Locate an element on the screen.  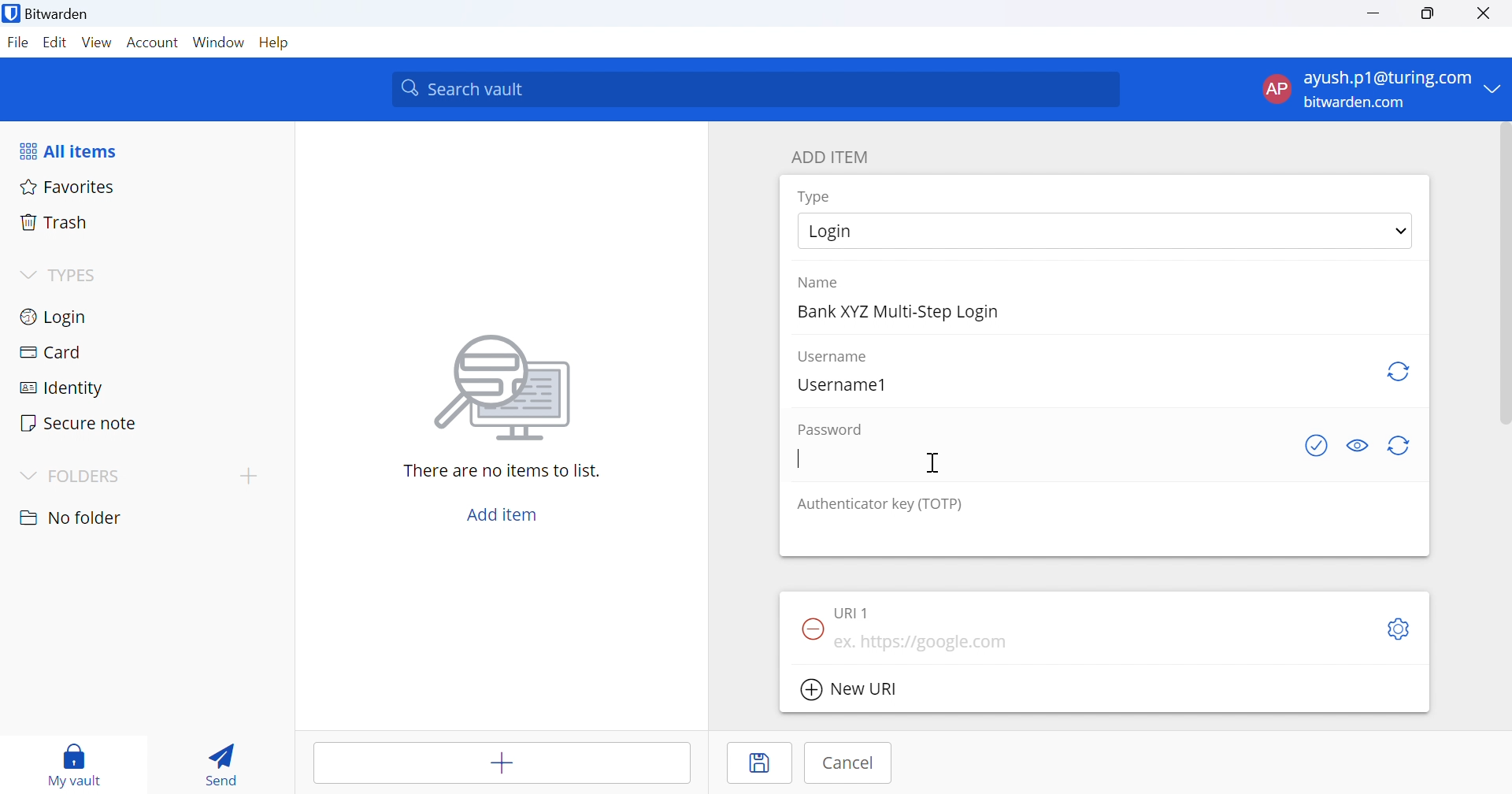
Authenticator key (TOTP) is located at coordinates (880, 506).